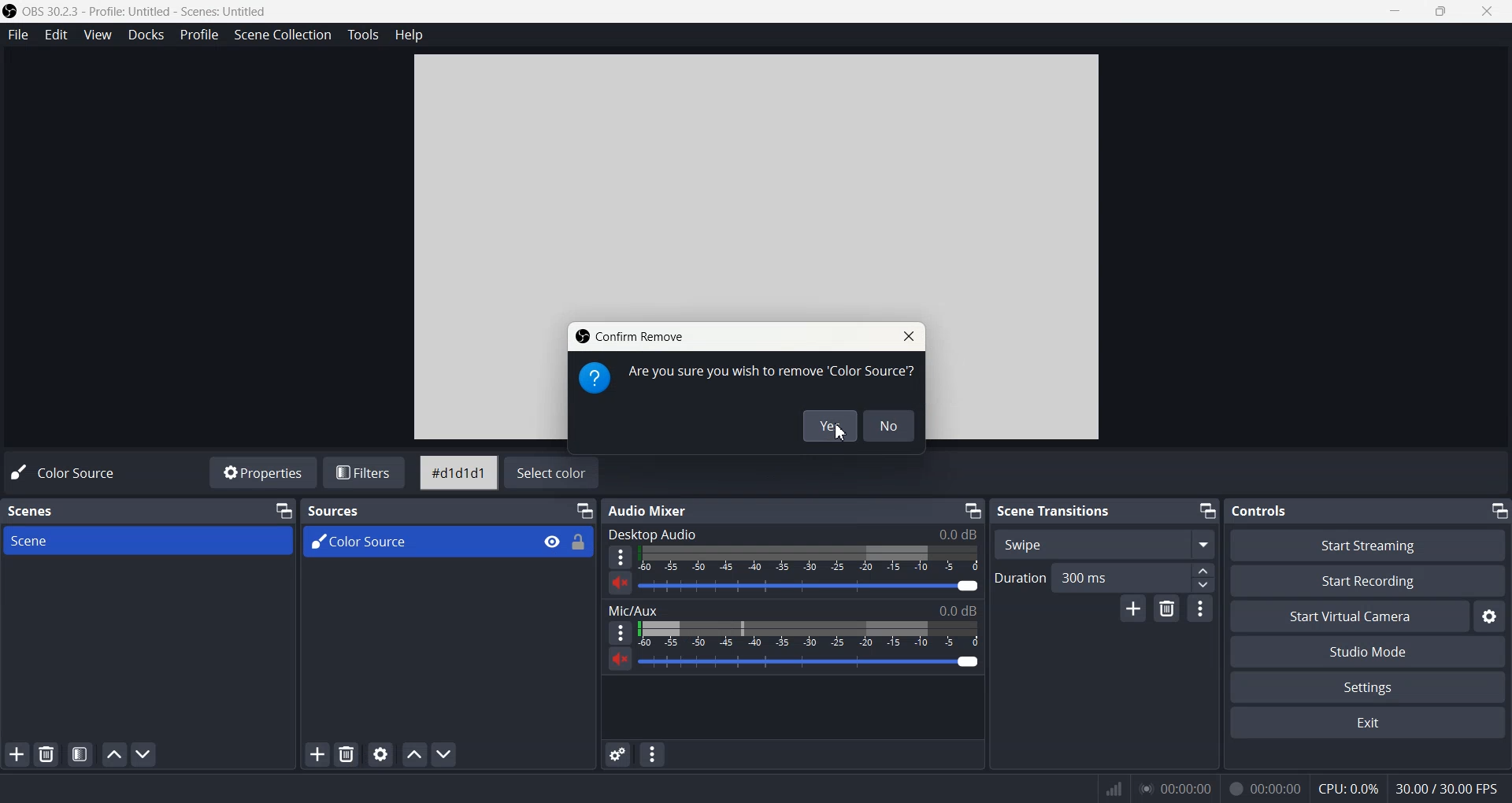  I want to click on Minimize, so click(584, 510).